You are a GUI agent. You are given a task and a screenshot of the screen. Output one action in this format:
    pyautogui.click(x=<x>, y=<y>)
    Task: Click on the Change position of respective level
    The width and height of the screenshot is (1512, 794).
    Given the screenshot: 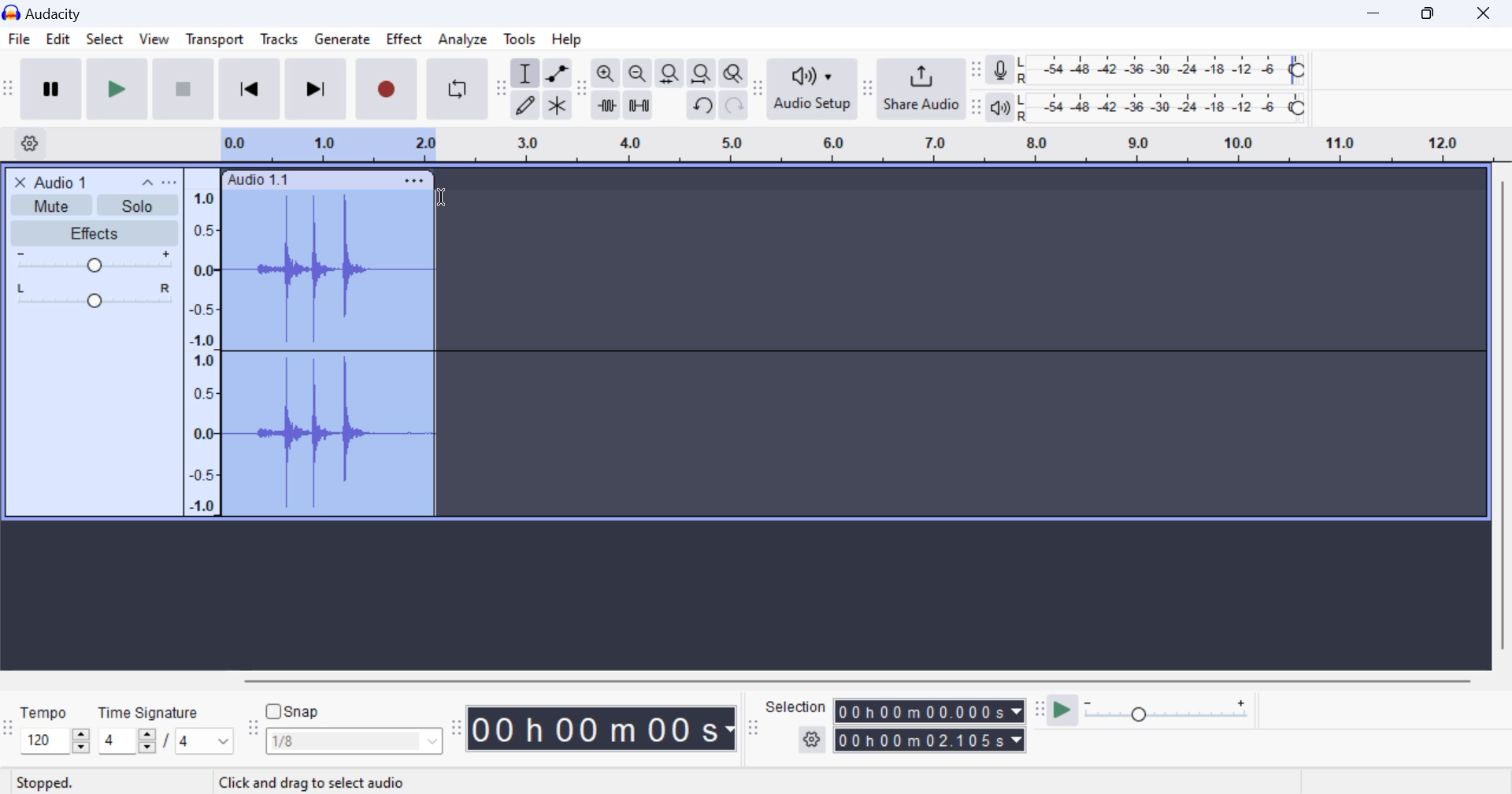 What is the action you would take?
    pyautogui.click(x=977, y=88)
    